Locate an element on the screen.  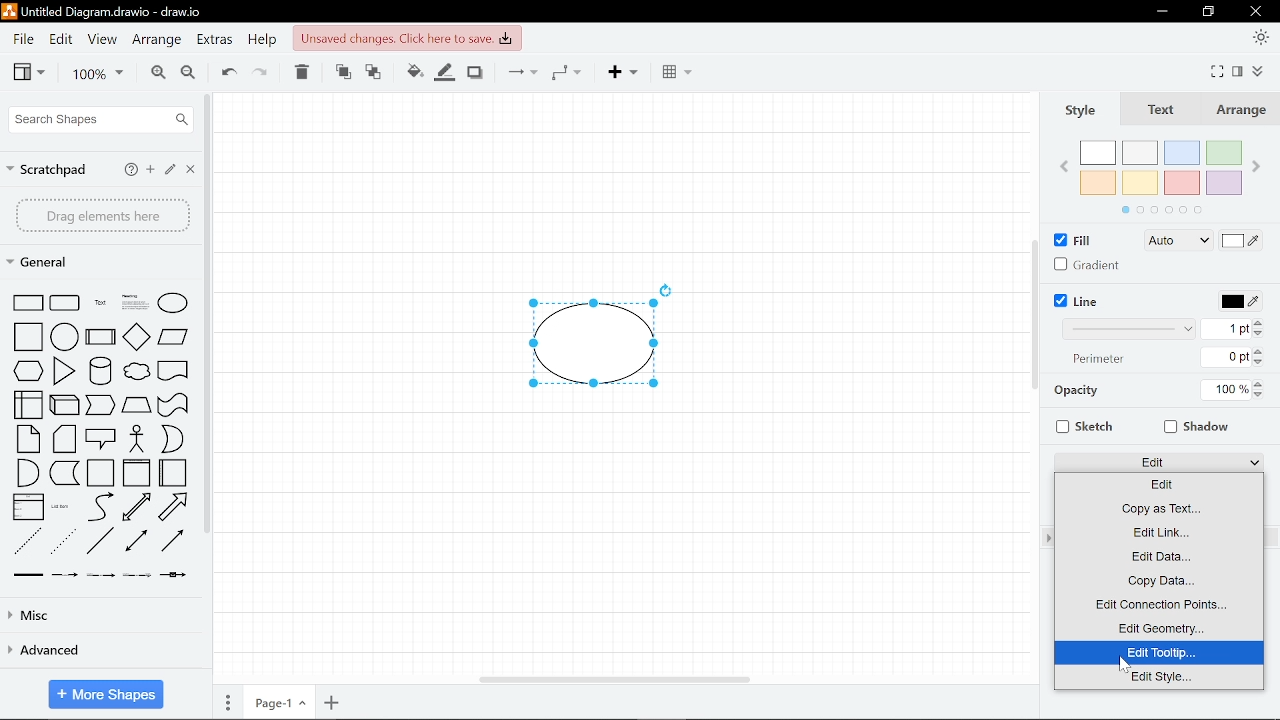
Edit option is located at coordinates (1160, 463).